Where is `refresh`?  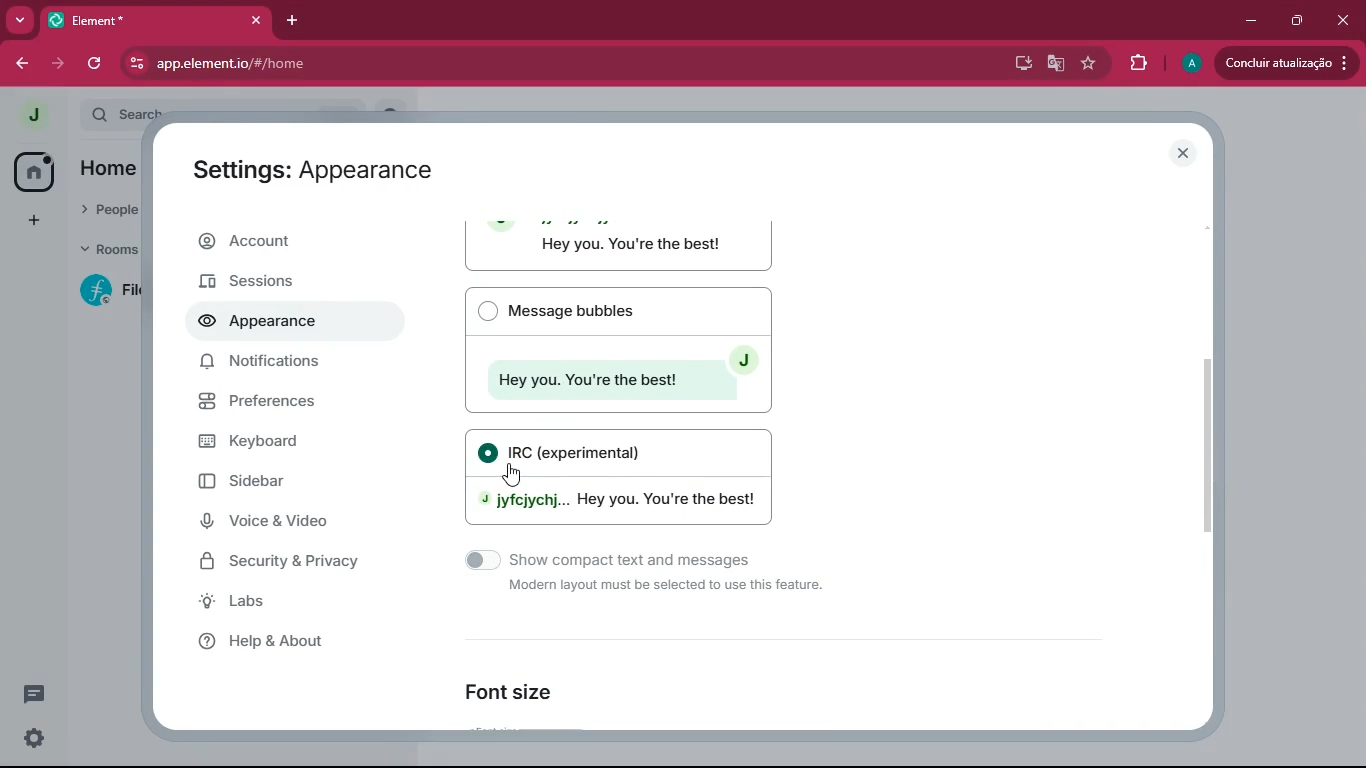 refresh is located at coordinates (97, 66).